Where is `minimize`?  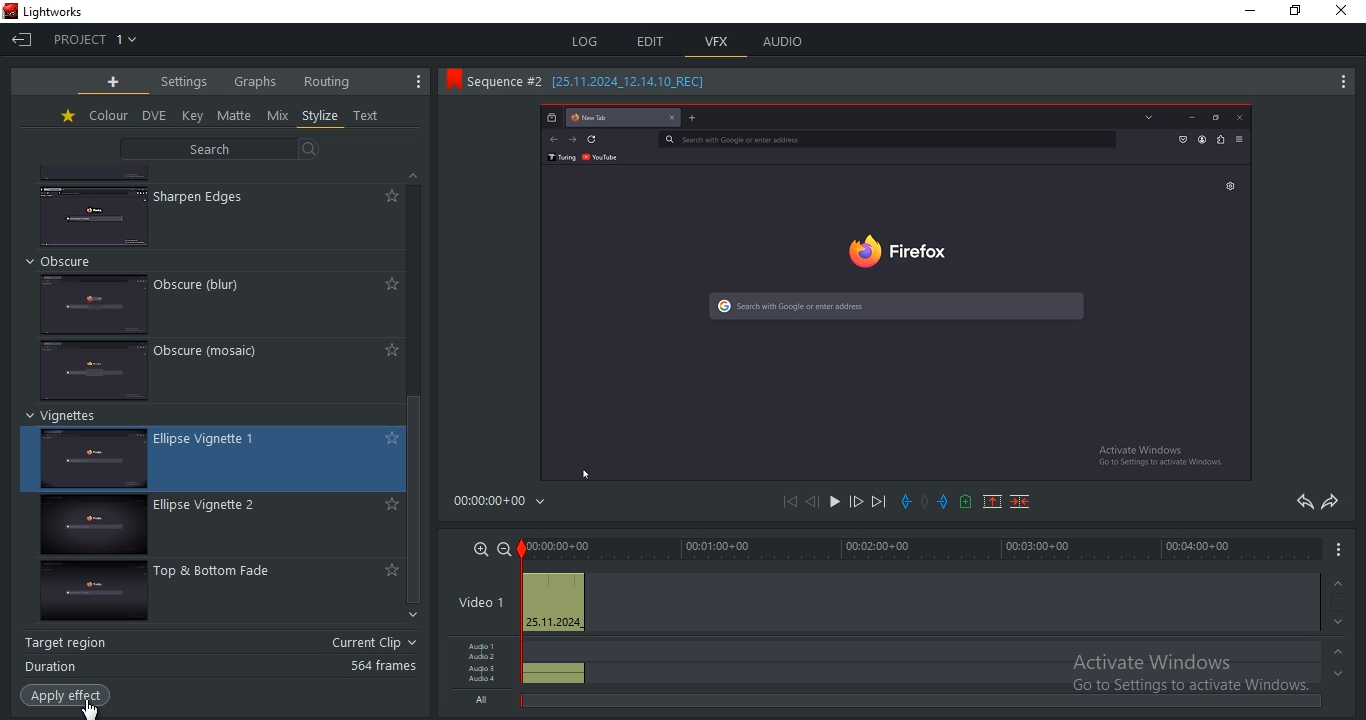
minimize is located at coordinates (1254, 12).